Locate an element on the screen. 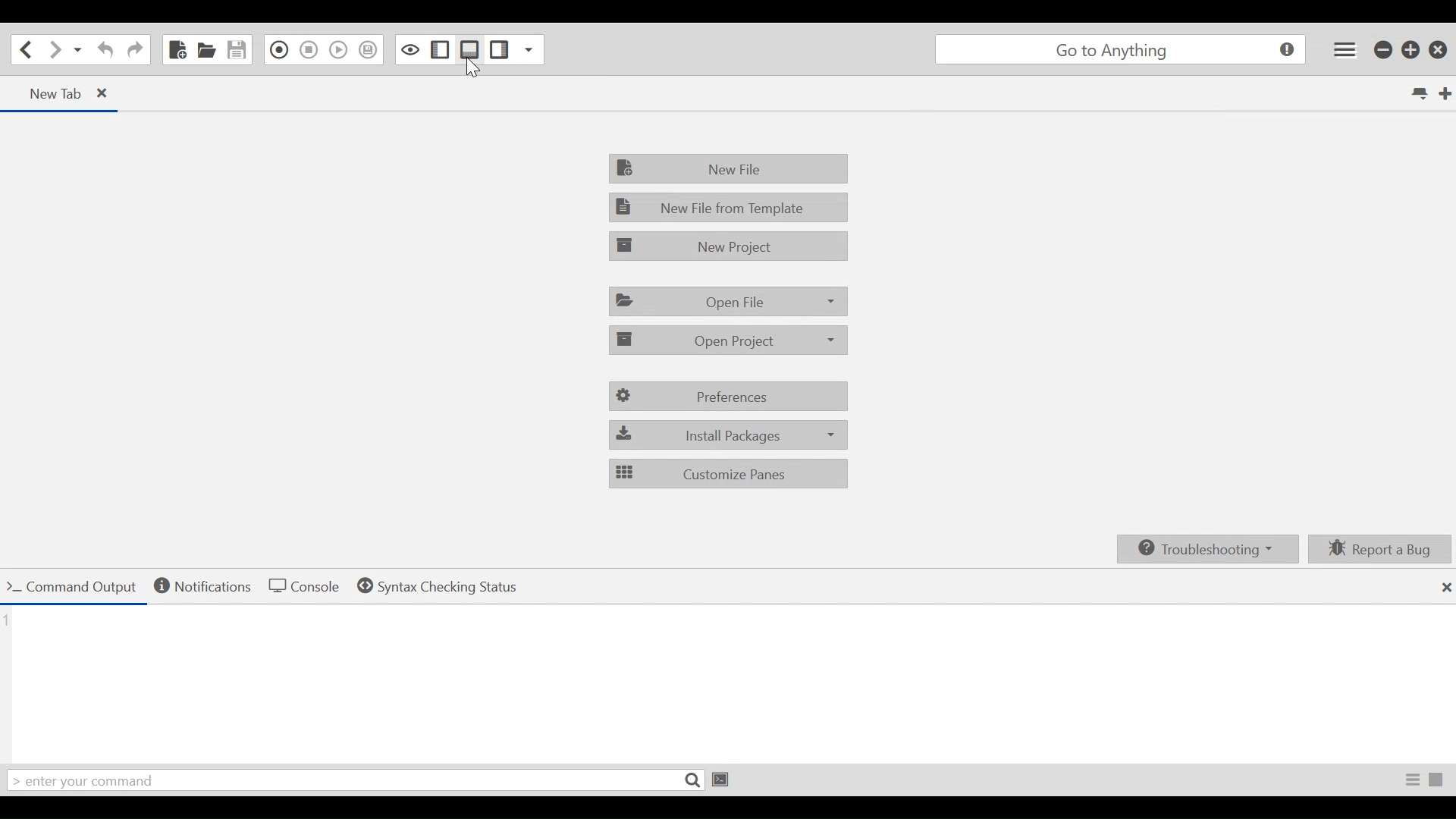 Image resolution: width=1456 pixels, height=819 pixels. cursor is located at coordinates (472, 70).